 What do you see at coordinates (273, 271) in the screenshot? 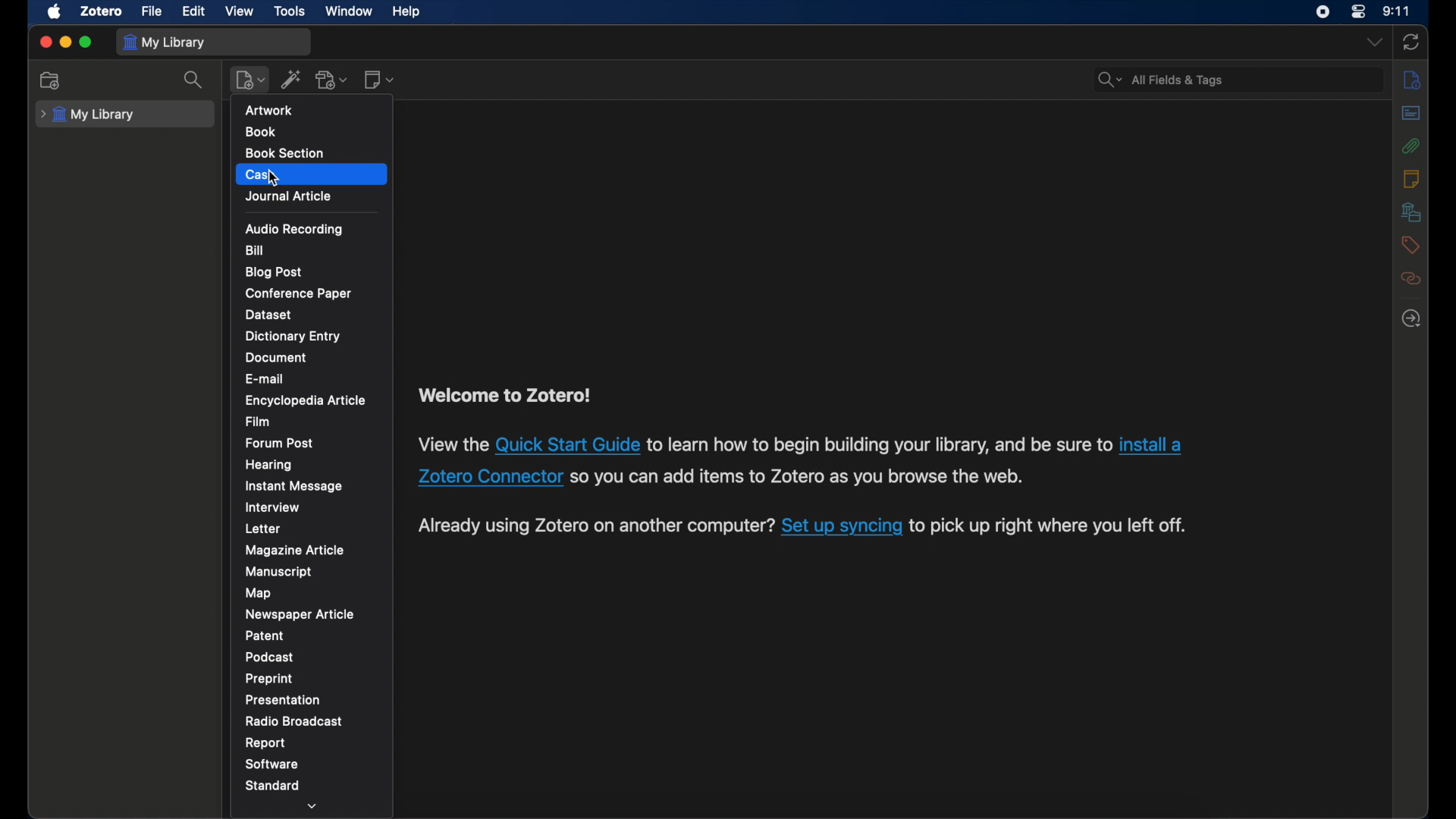
I see `blog post` at bounding box center [273, 271].